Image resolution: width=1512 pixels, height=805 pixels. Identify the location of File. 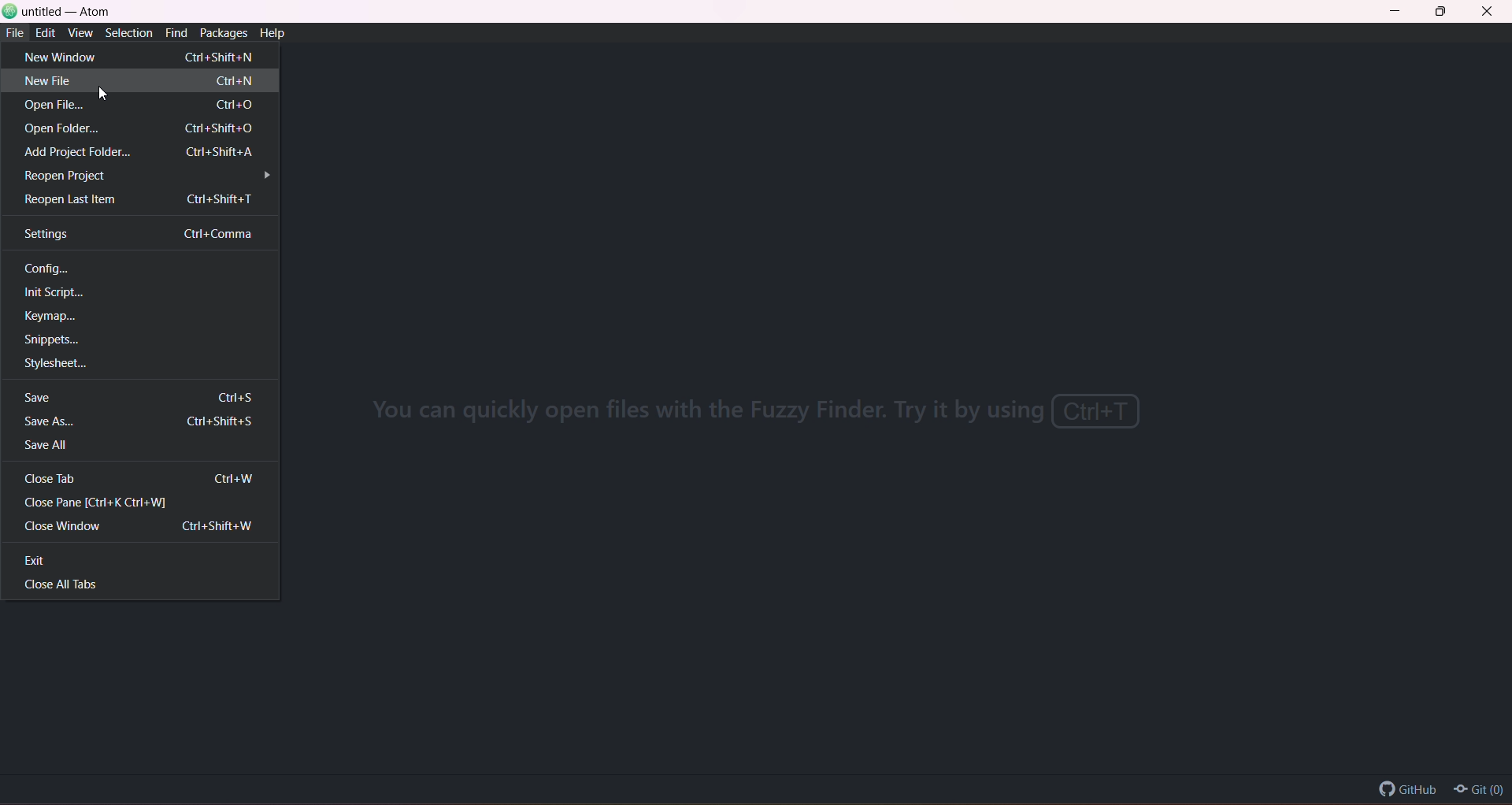
(15, 33).